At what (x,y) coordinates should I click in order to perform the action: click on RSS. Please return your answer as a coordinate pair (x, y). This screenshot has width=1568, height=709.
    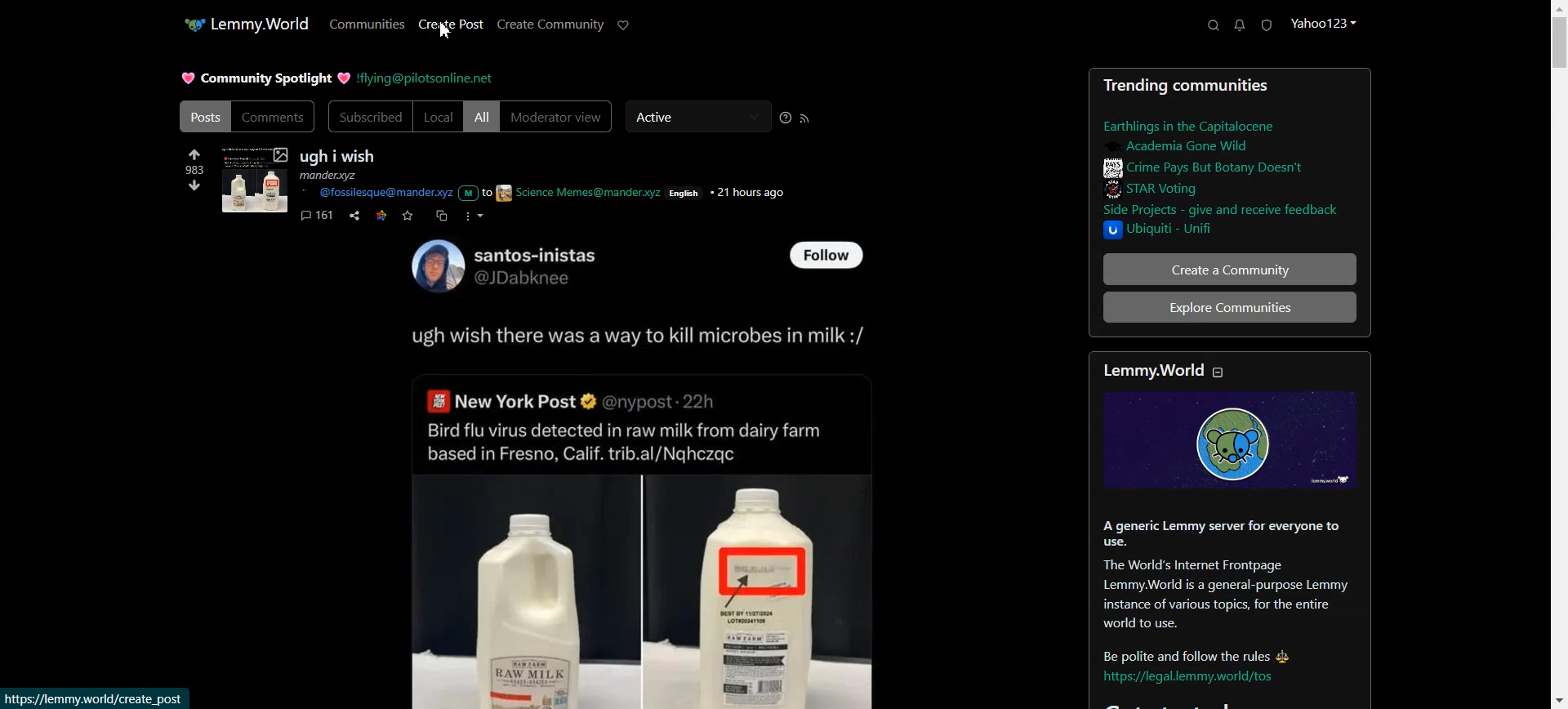
    Looking at the image, I should click on (806, 118).